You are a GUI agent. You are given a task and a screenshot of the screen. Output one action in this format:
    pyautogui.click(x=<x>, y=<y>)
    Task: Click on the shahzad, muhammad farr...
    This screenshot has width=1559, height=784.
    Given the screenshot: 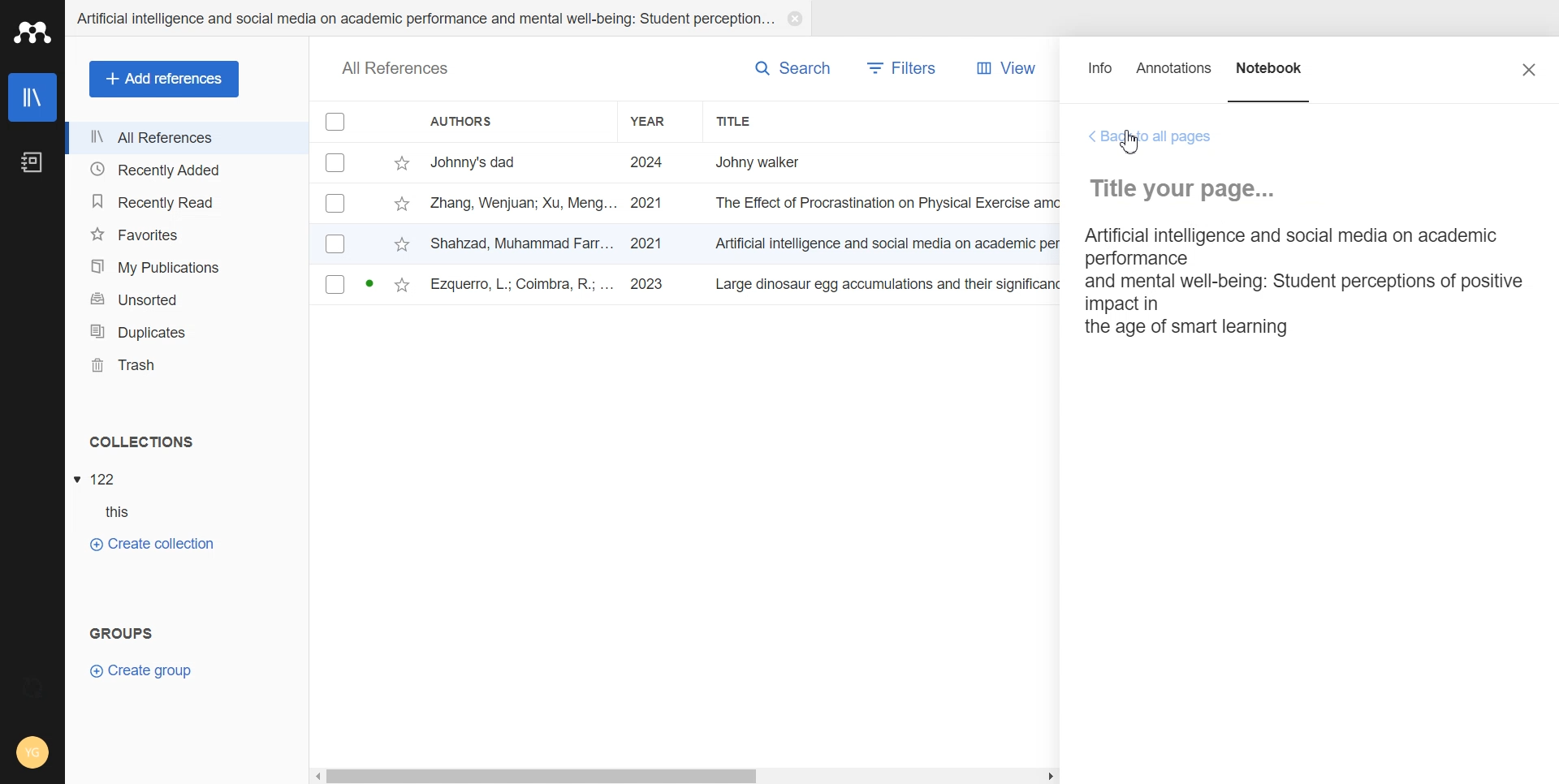 What is the action you would take?
    pyautogui.click(x=524, y=243)
    